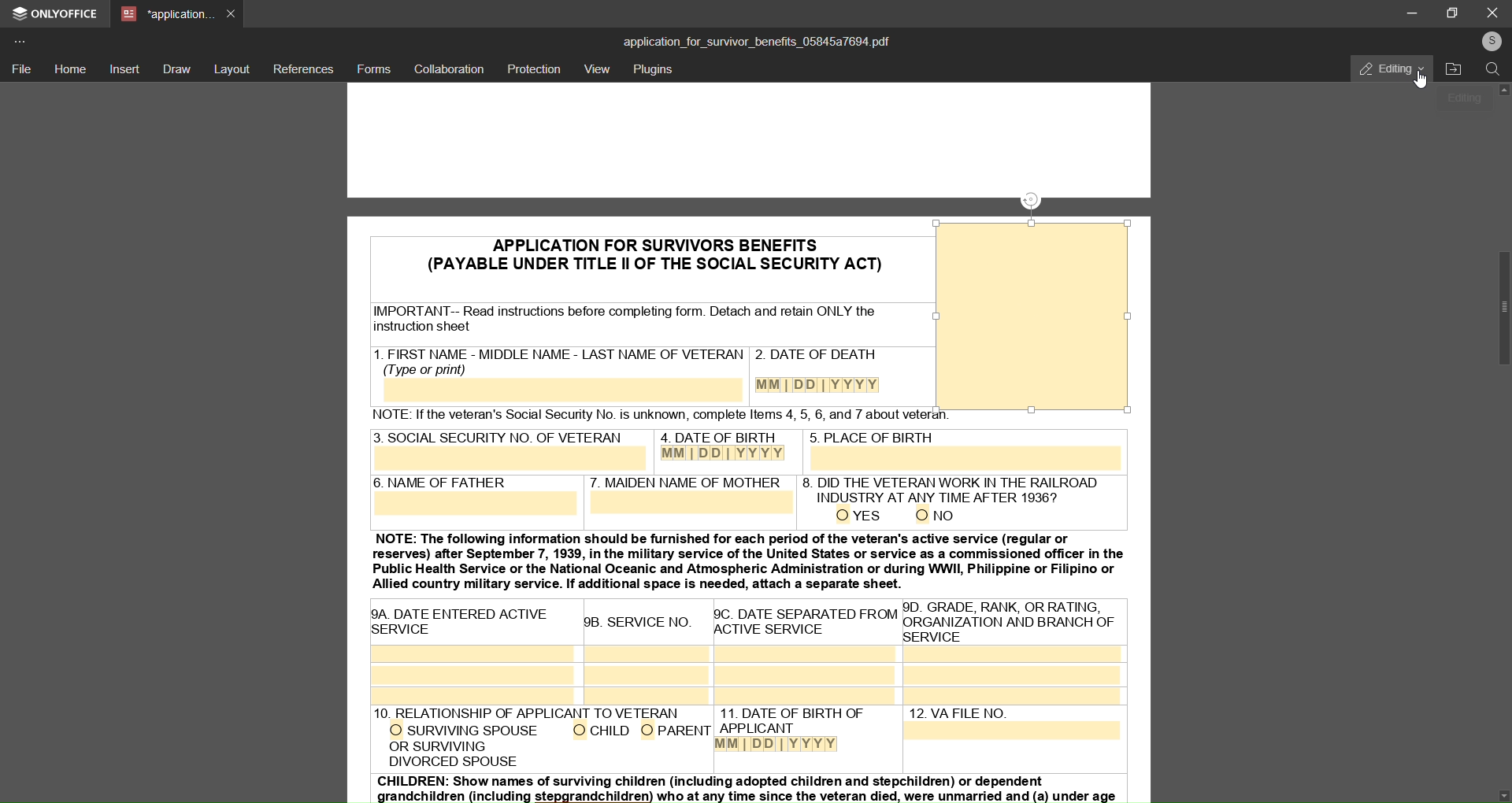 Image resolution: width=1512 pixels, height=803 pixels. I want to click on close tab, so click(232, 13).